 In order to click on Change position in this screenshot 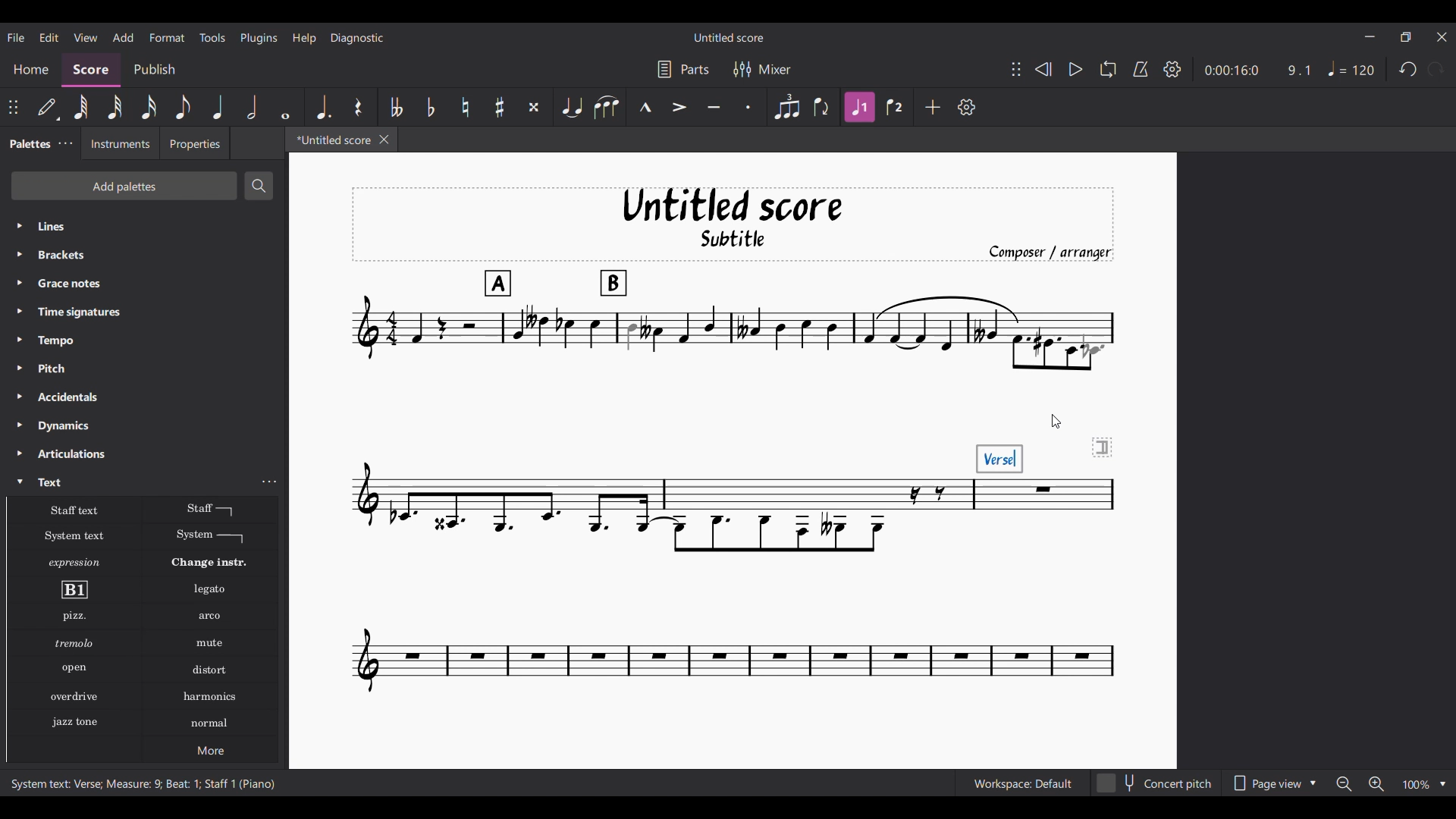, I will do `click(13, 107)`.